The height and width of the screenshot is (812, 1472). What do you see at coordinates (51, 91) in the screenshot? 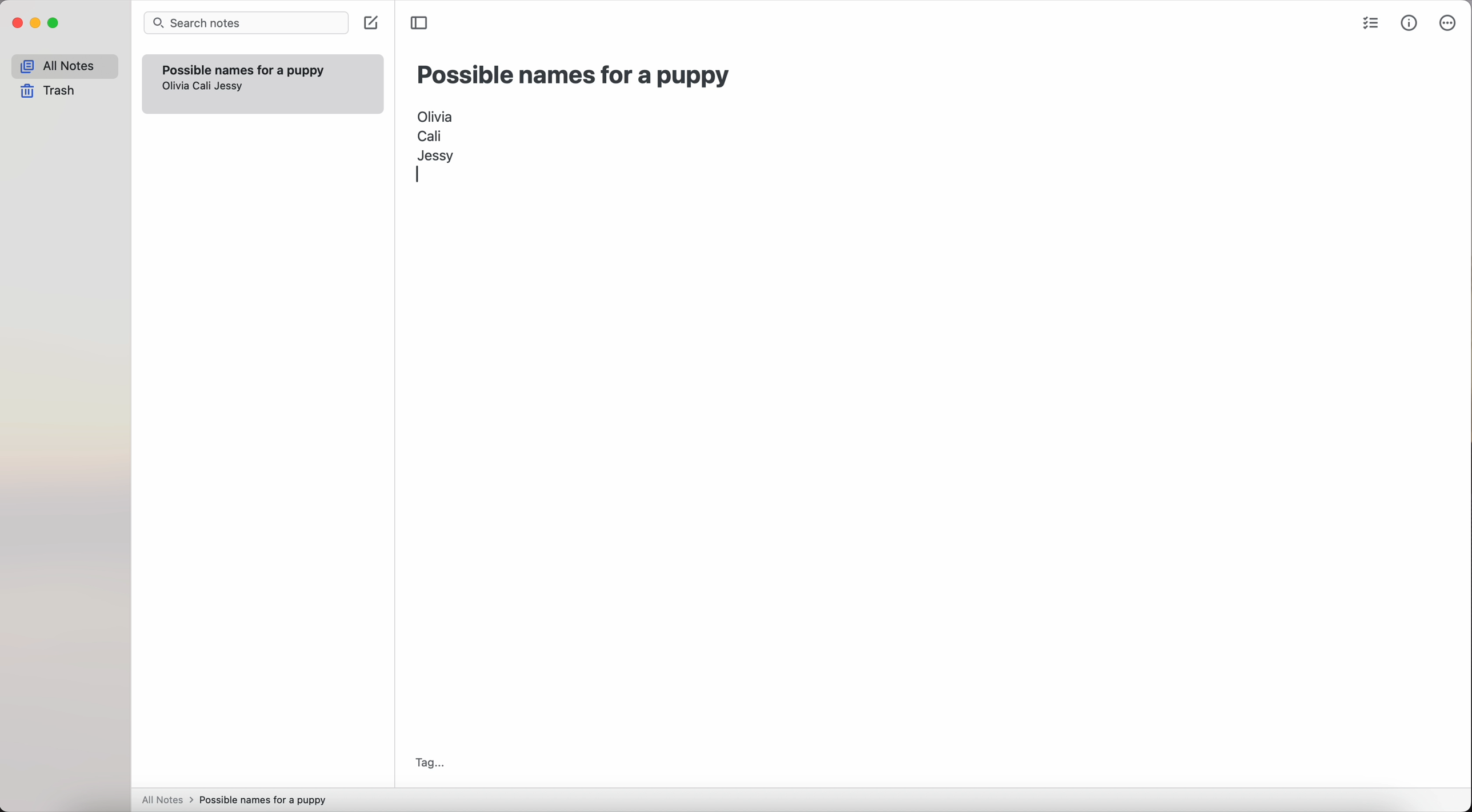
I see `trash` at bounding box center [51, 91].